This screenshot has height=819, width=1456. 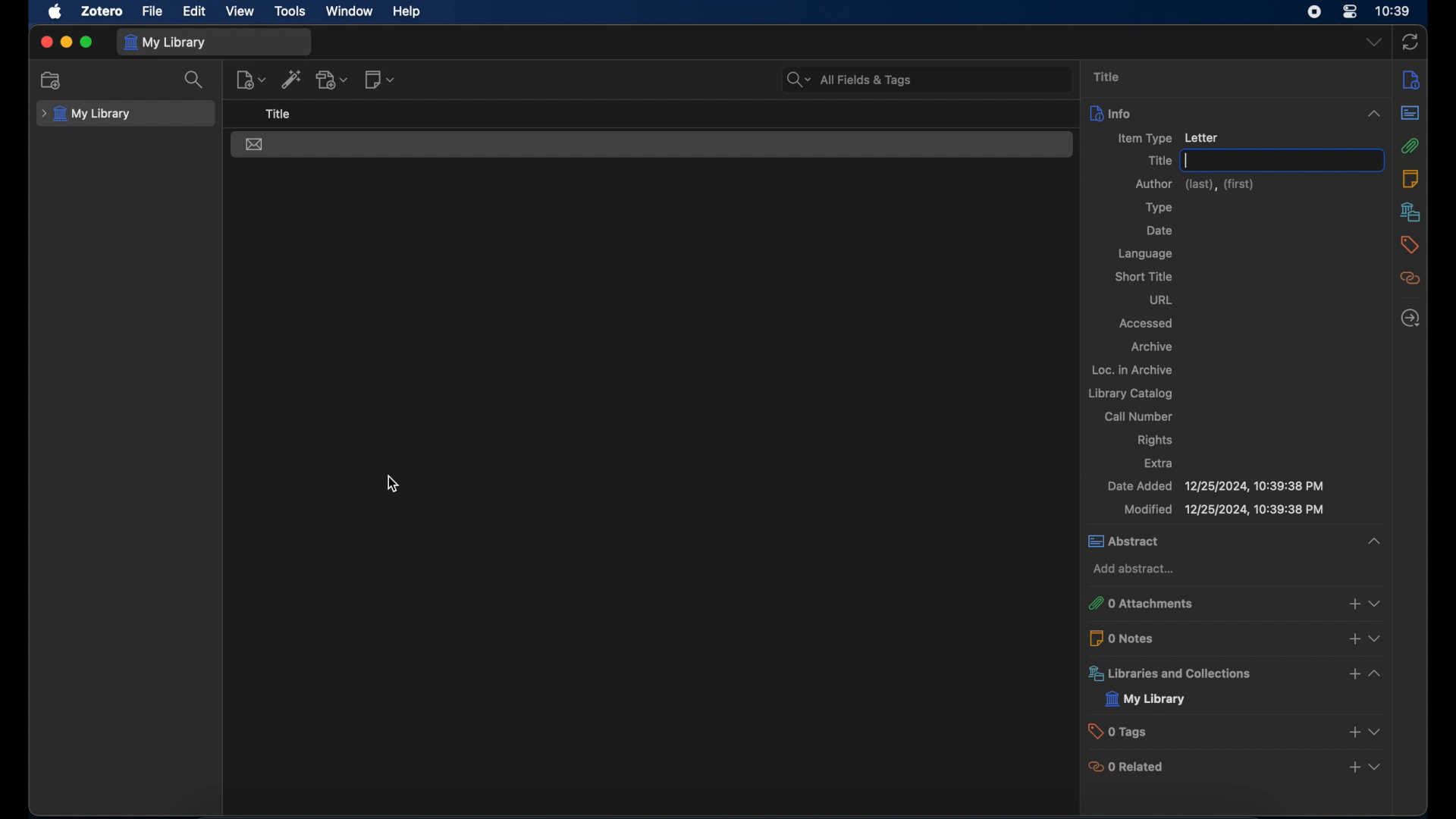 What do you see at coordinates (1353, 731) in the screenshot?
I see `add` at bounding box center [1353, 731].